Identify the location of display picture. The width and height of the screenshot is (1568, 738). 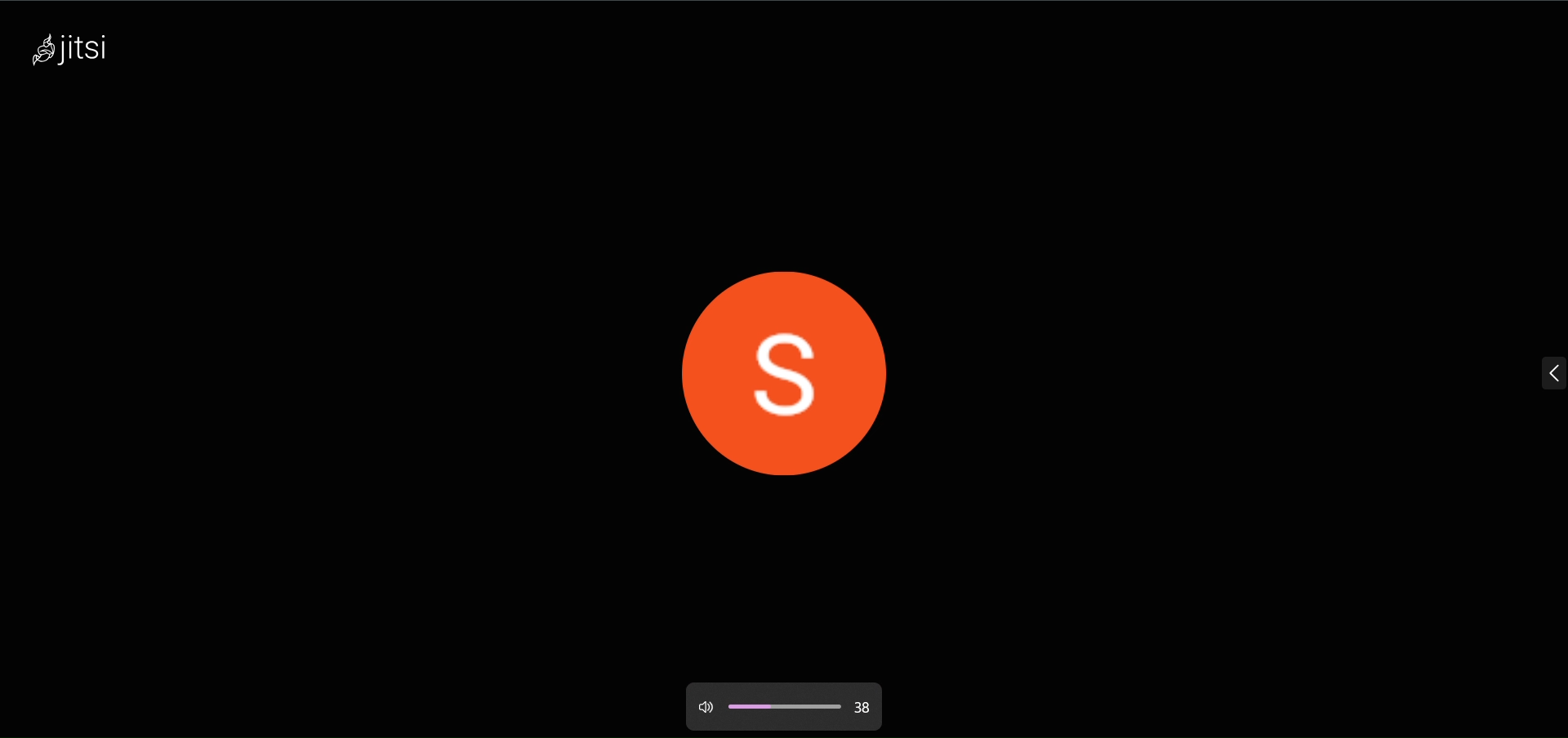
(782, 360).